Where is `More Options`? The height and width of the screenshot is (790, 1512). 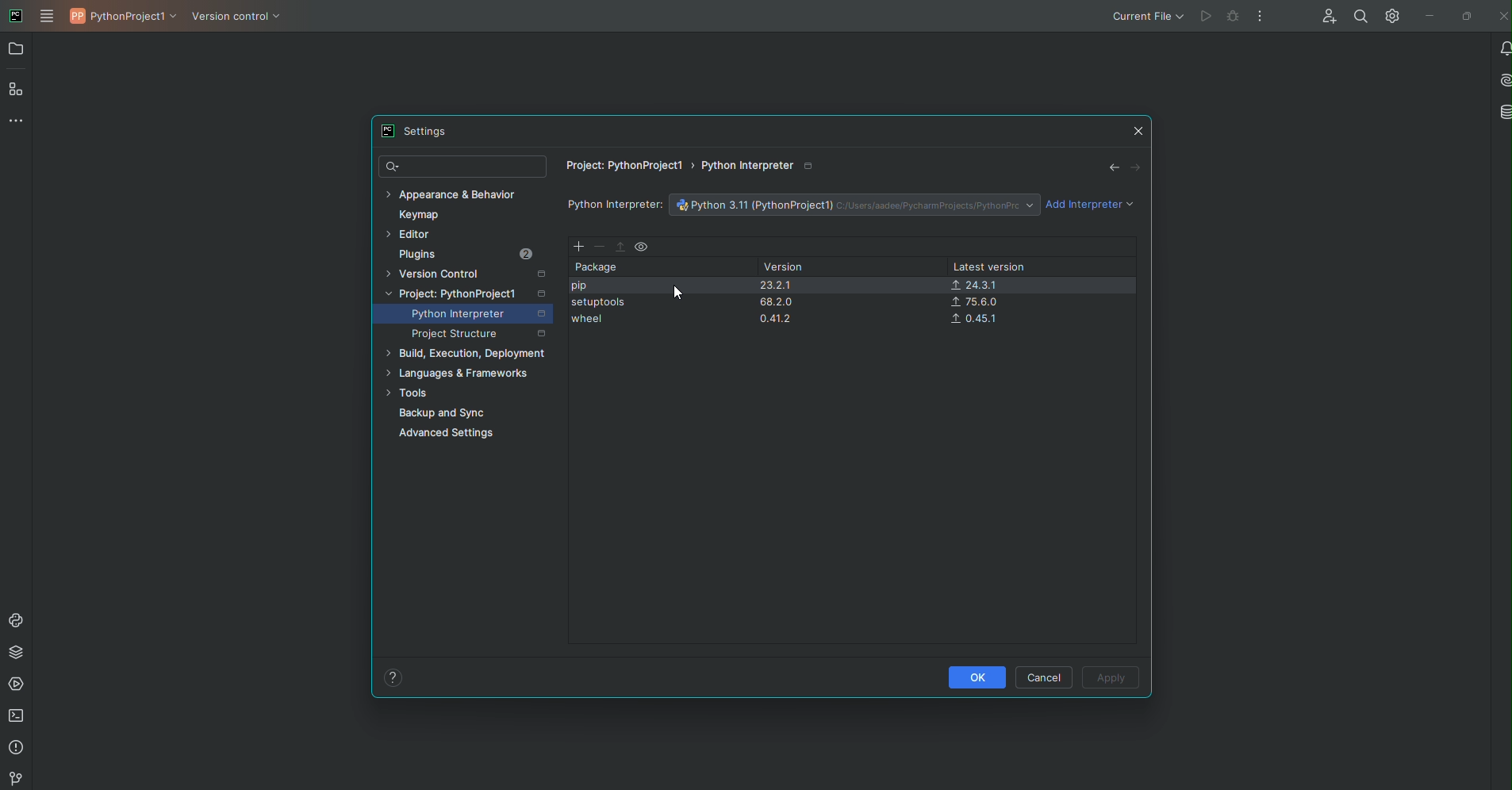
More Options is located at coordinates (1258, 18).